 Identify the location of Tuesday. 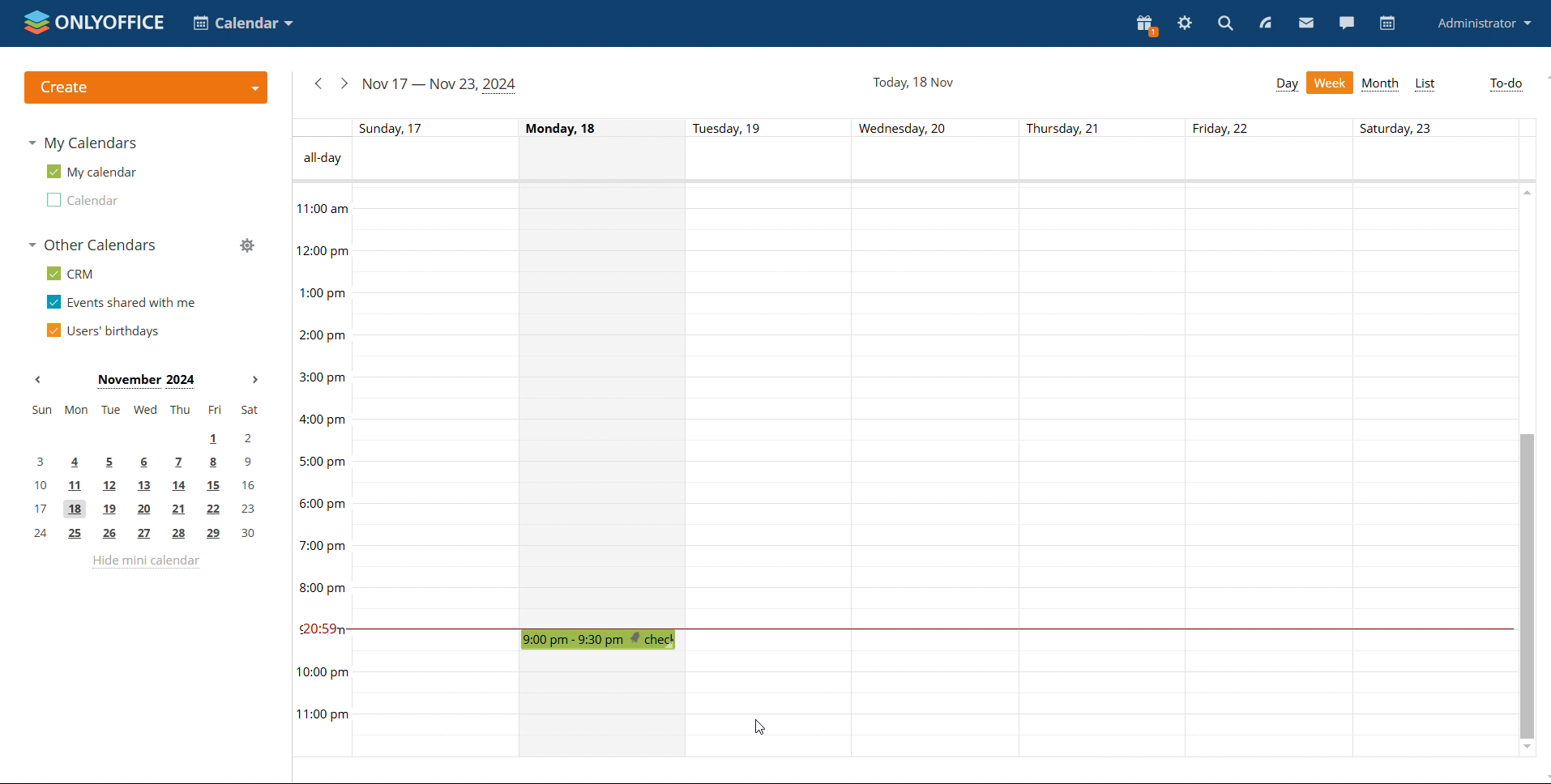
(770, 473).